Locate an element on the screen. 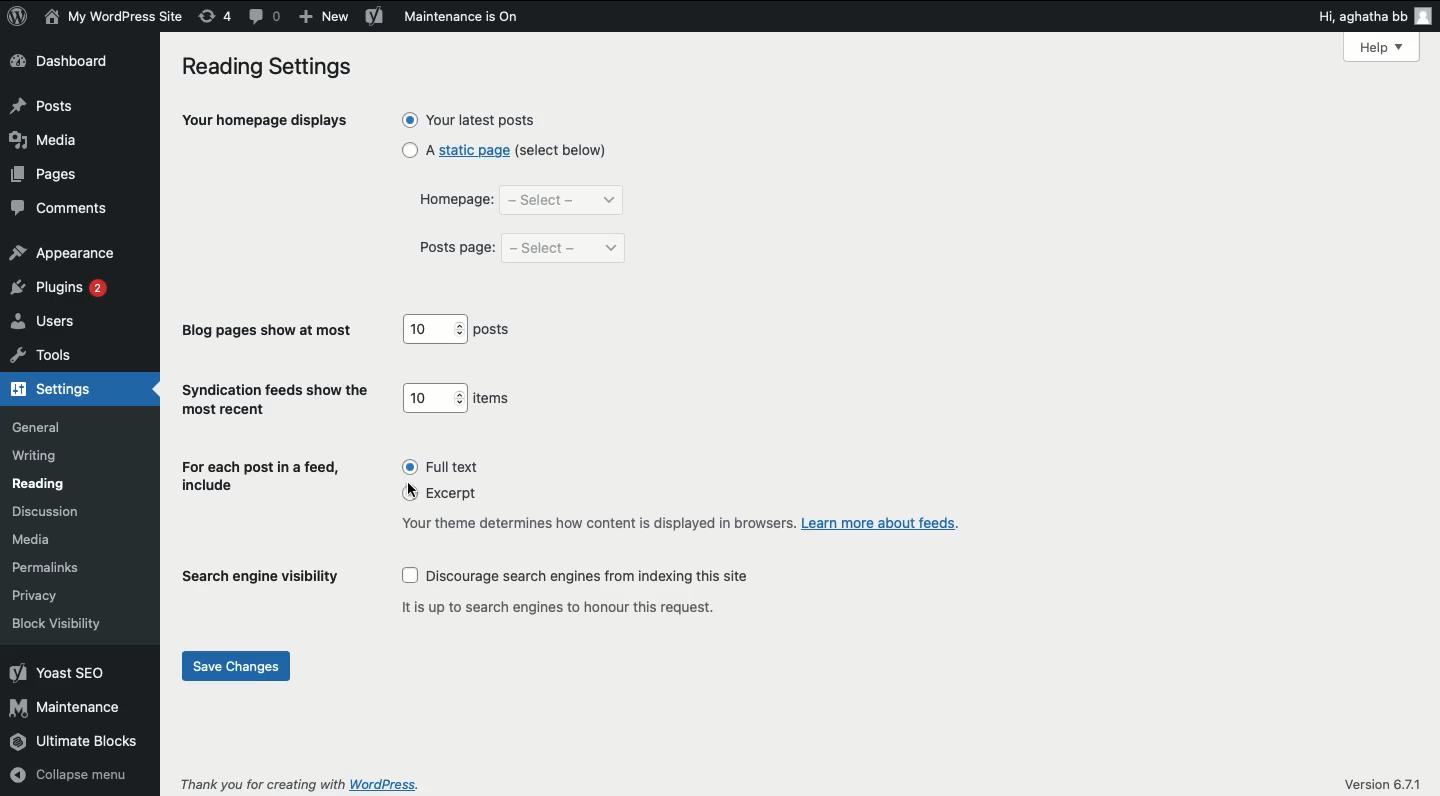 The width and height of the screenshot is (1440, 796). items is located at coordinates (494, 399).